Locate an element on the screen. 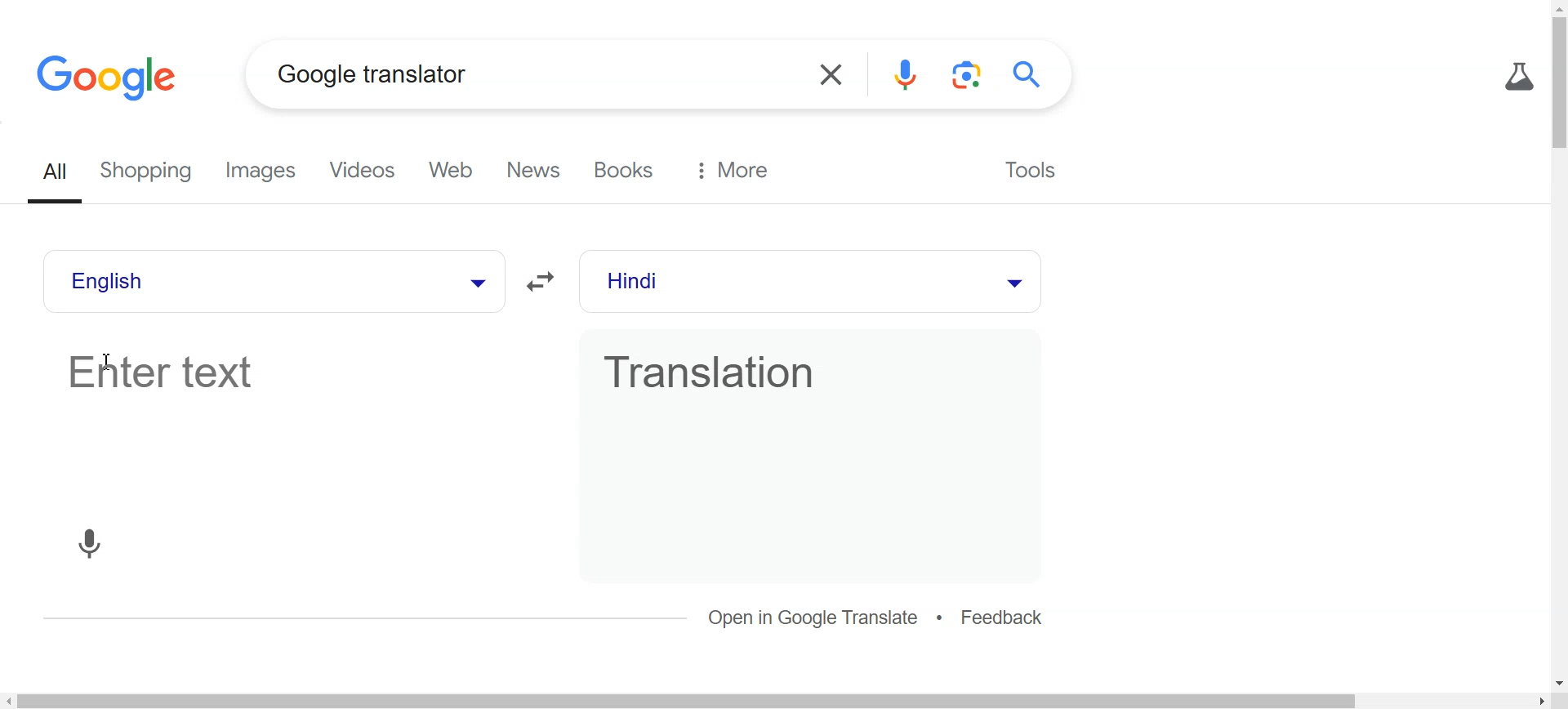 This screenshot has height=709, width=1568. Images is located at coordinates (266, 172).